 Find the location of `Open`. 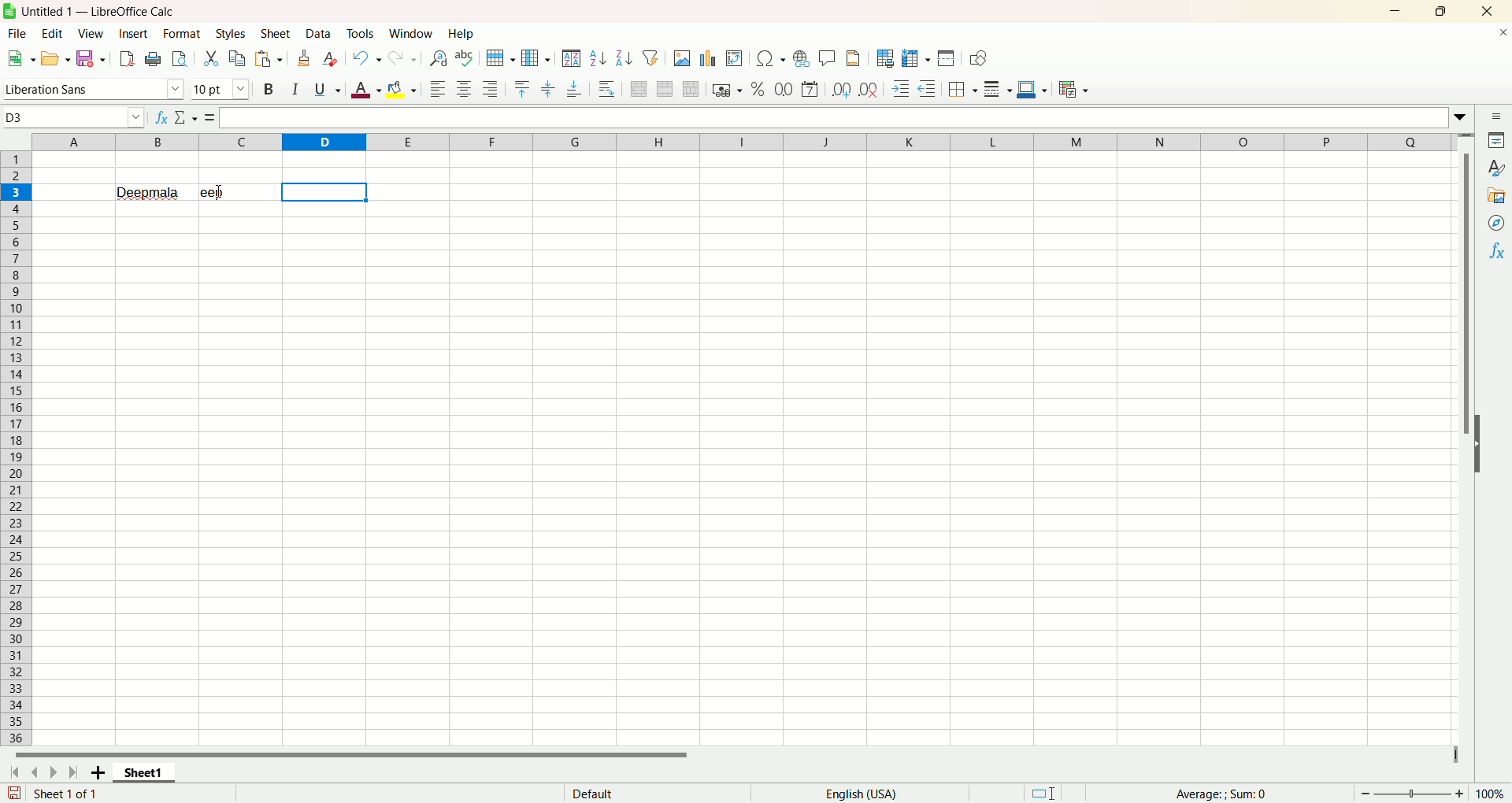

Open is located at coordinates (57, 57).